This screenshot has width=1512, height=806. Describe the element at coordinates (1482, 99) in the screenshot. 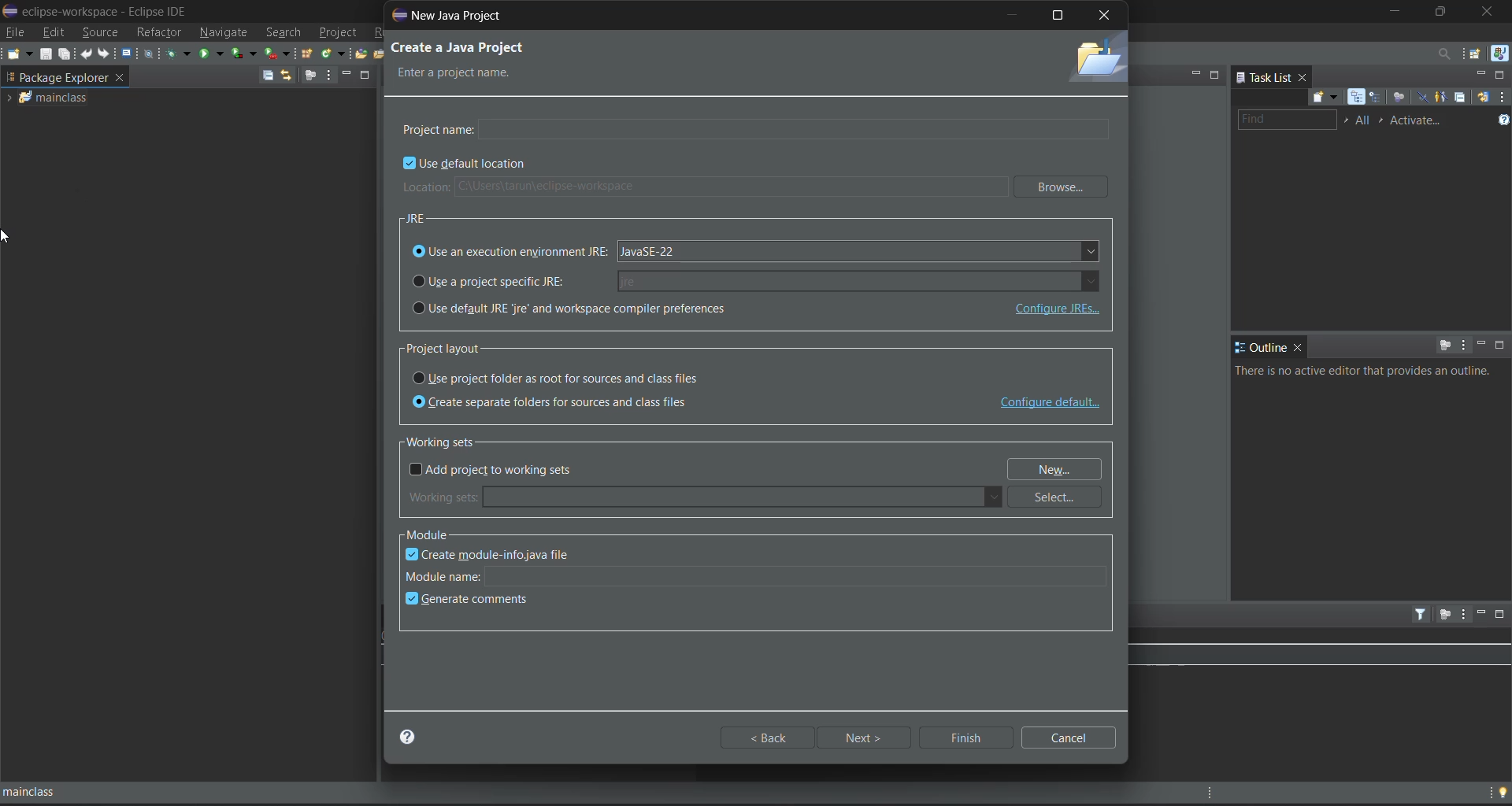

I see `synchronize changed` at that location.